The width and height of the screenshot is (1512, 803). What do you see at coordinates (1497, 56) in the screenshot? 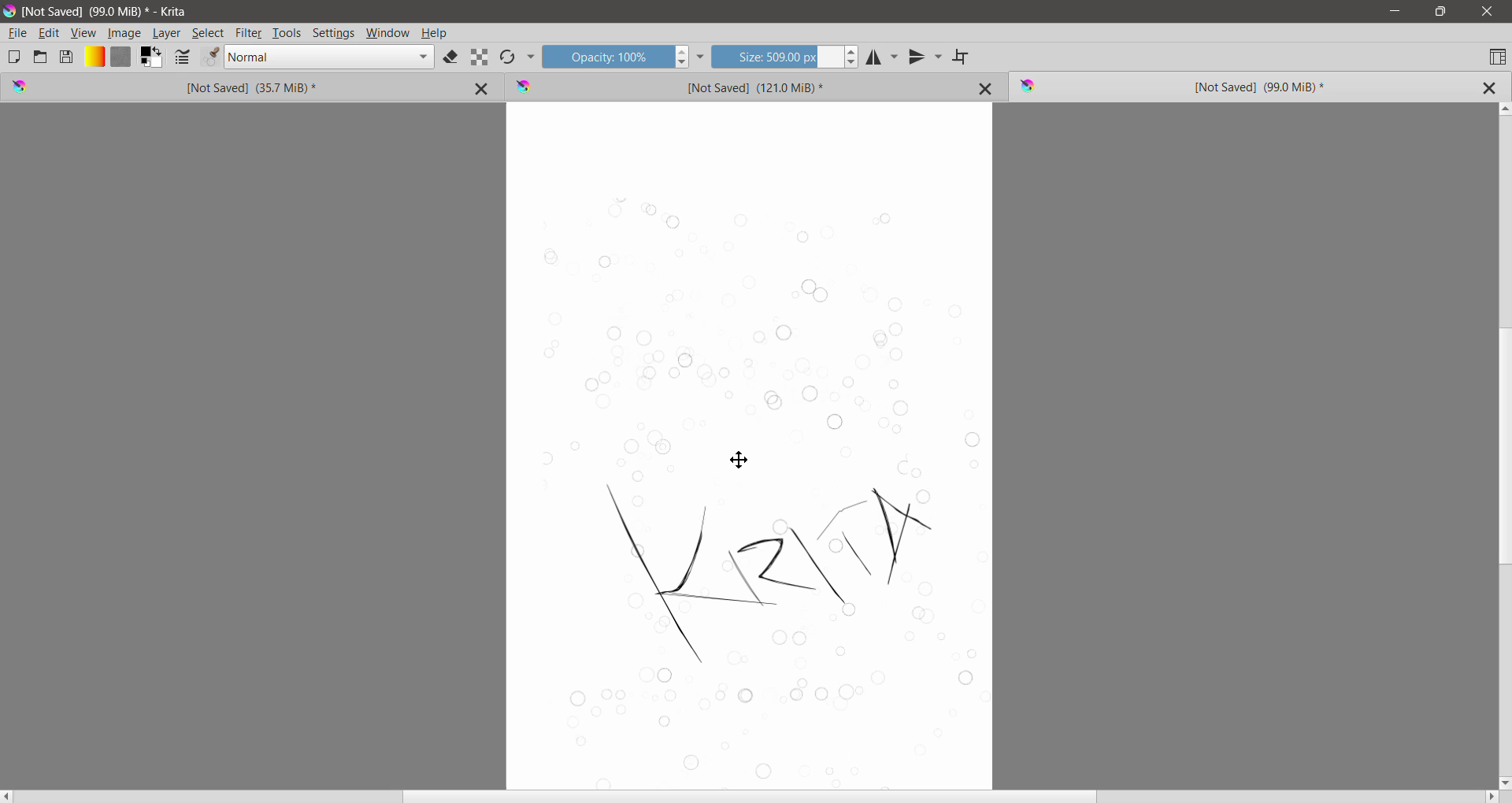
I see `Choose Workspace` at bounding box center [1497, 56].